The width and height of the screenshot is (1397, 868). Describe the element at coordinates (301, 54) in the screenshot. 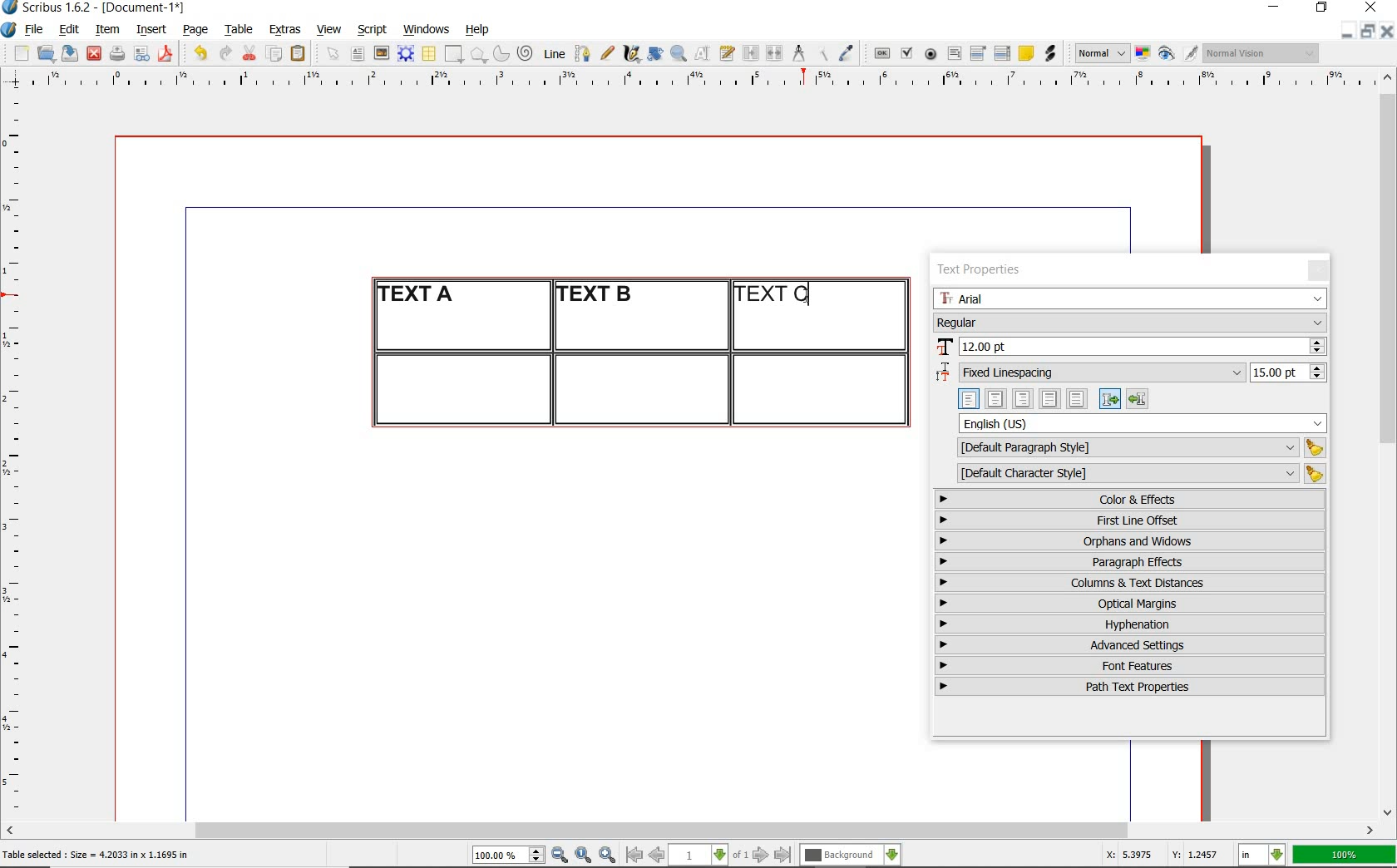

I see `paste` at that location.